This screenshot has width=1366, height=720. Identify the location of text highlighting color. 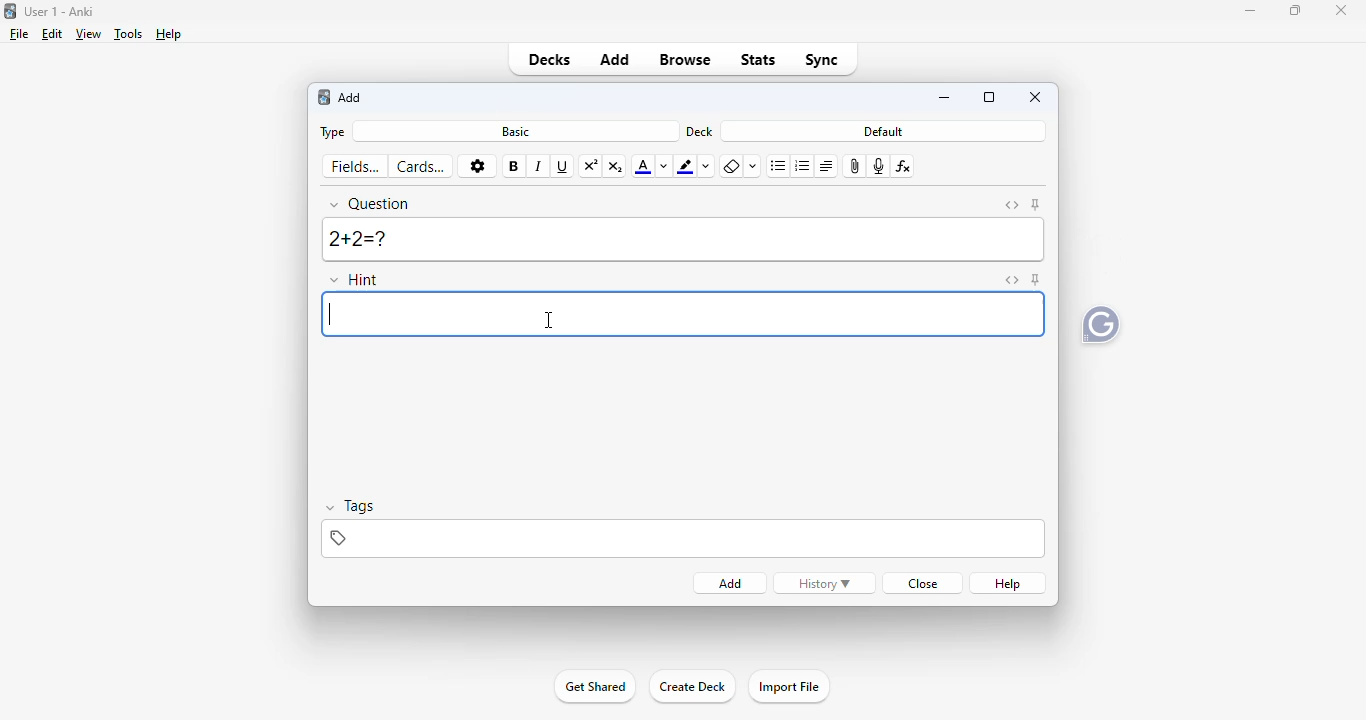
(686, 167).